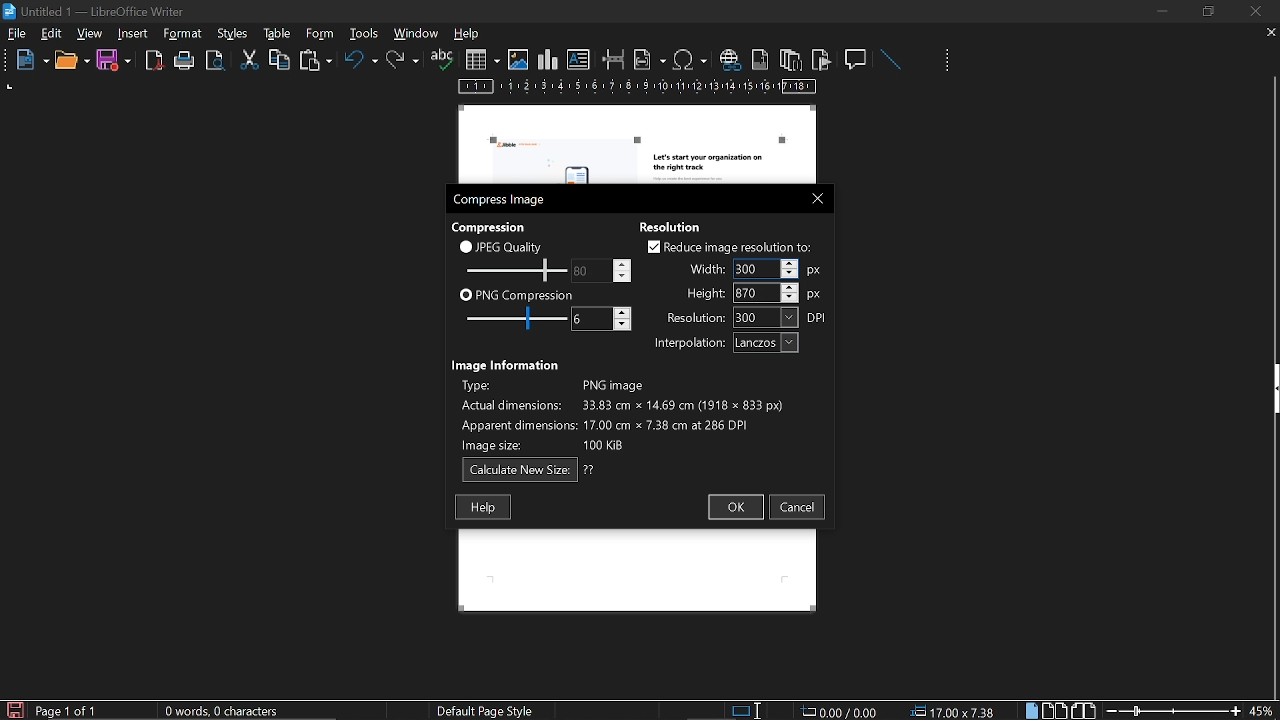 The height and width of the screenshot is (720, 1280). What do you see at coordinates (91, 33) in the screenshot?
I see `view` at bounding box center [91, 33].